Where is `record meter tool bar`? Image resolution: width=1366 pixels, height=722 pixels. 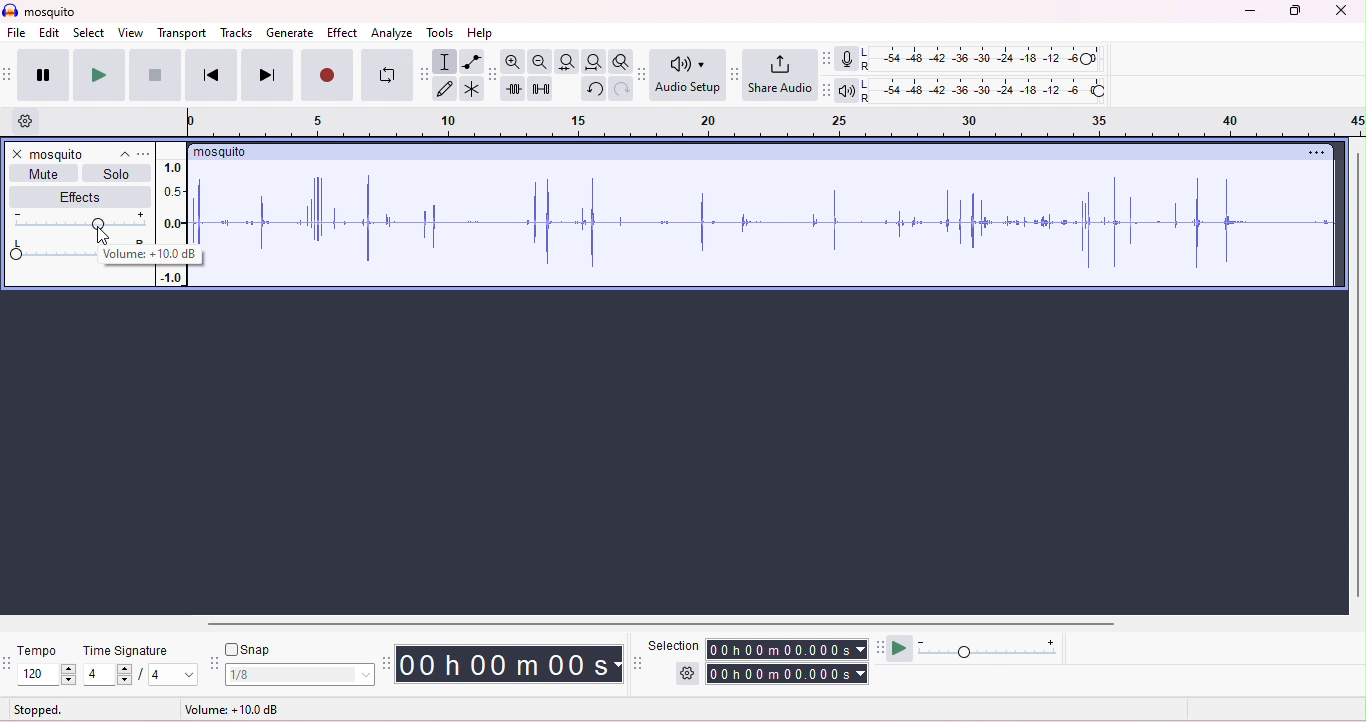
record meter tool bar is located at coordinates (830, 59).